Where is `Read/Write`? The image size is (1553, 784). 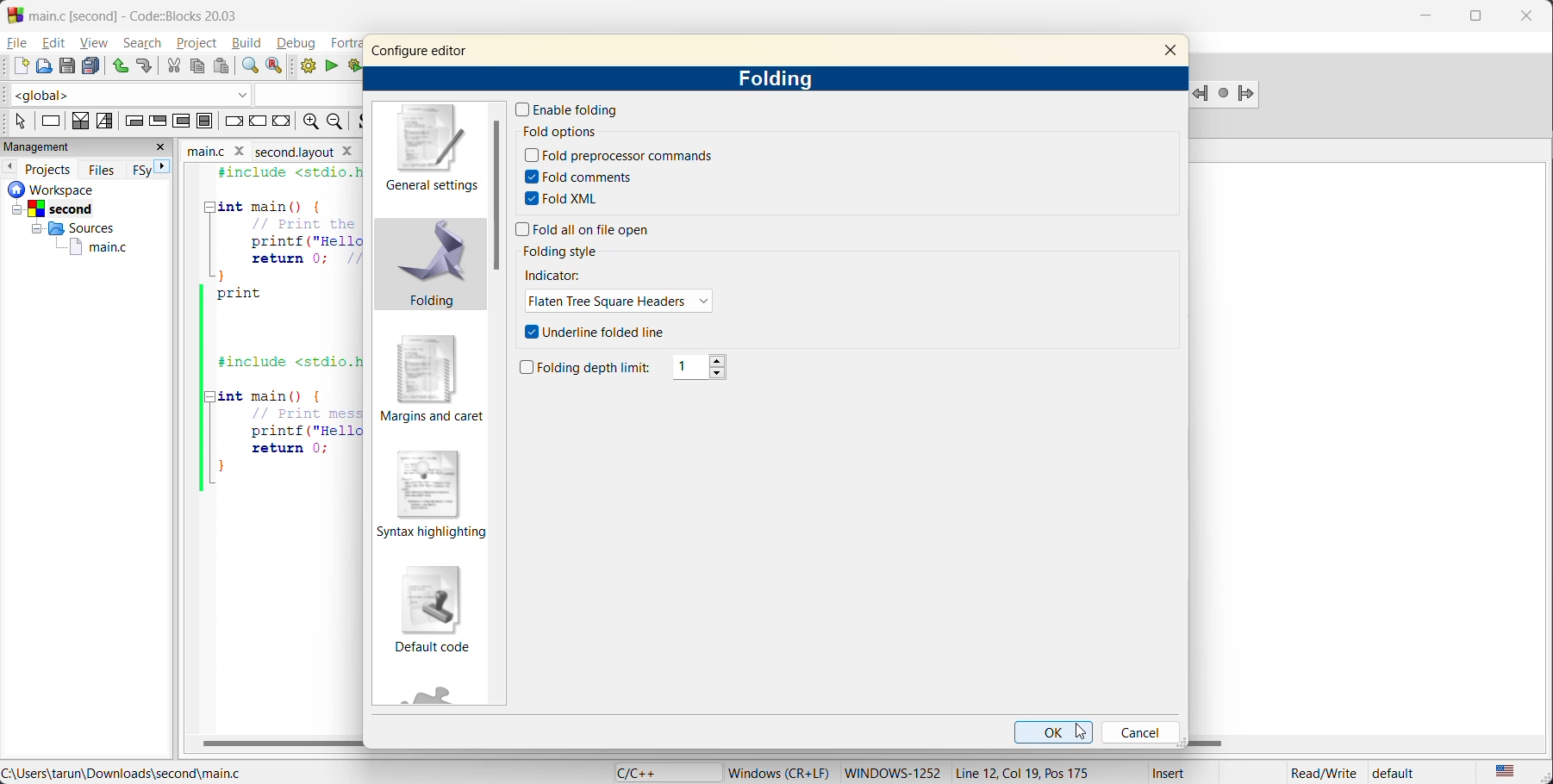 Read/Write is located at coordinates (1323, 771).